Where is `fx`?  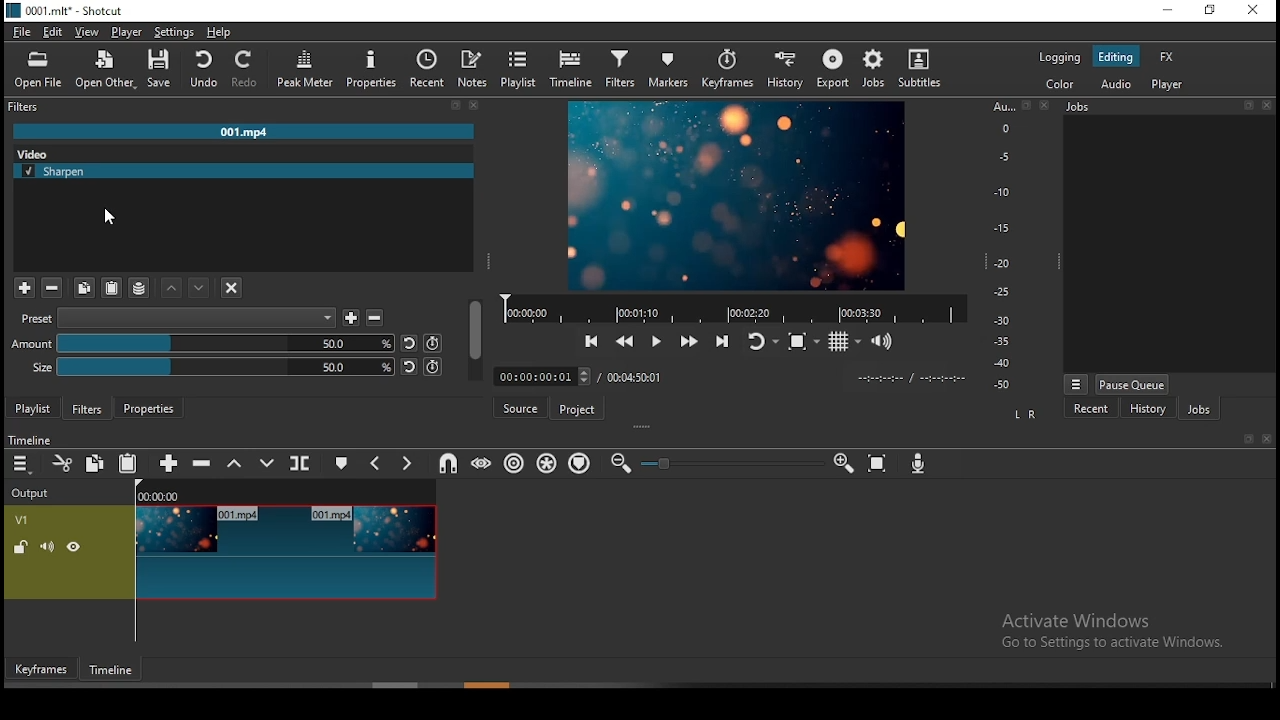 fx is located at coordinates (1167, 55).